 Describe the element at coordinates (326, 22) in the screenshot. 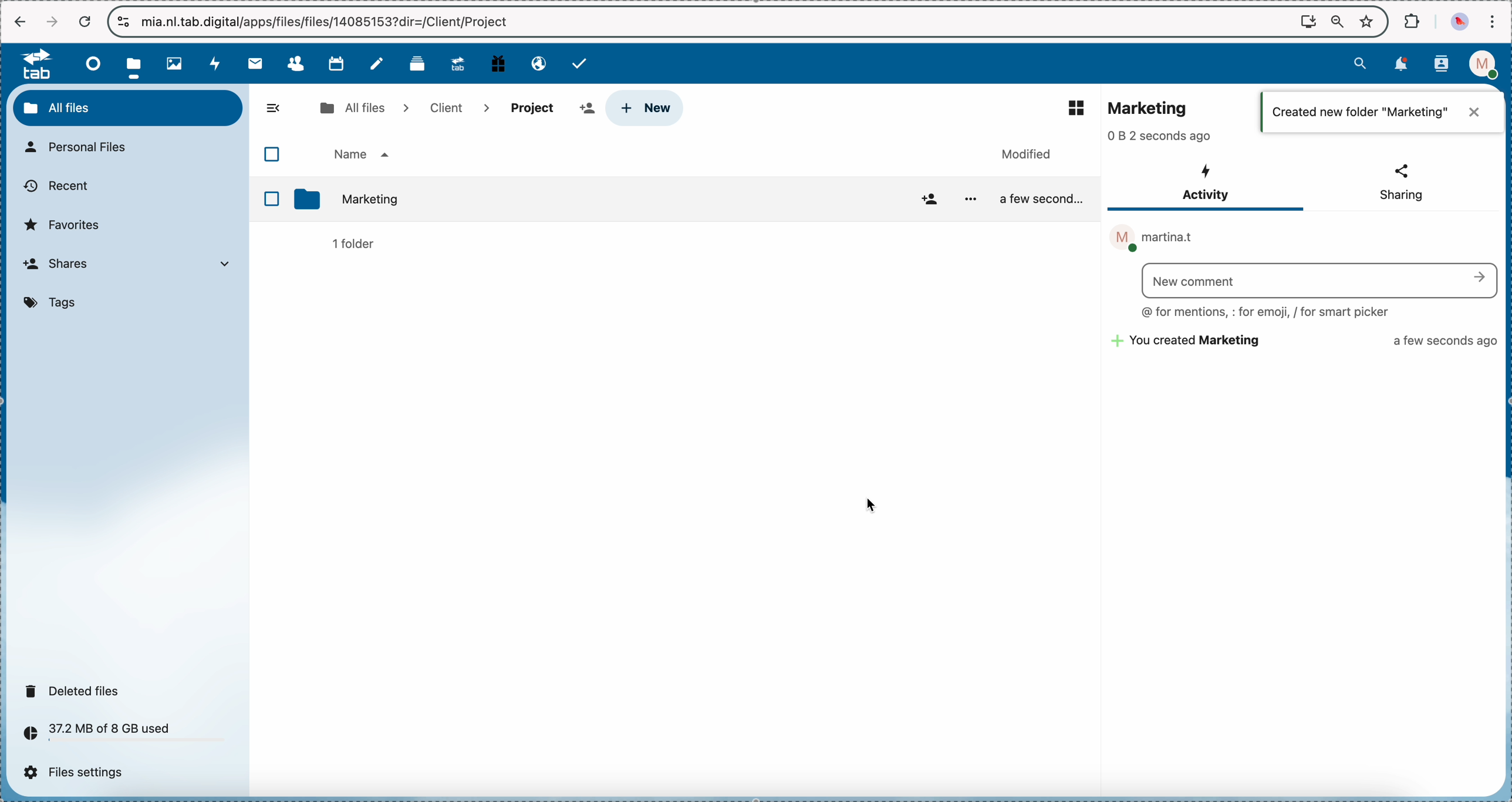

I see `url` at that location.